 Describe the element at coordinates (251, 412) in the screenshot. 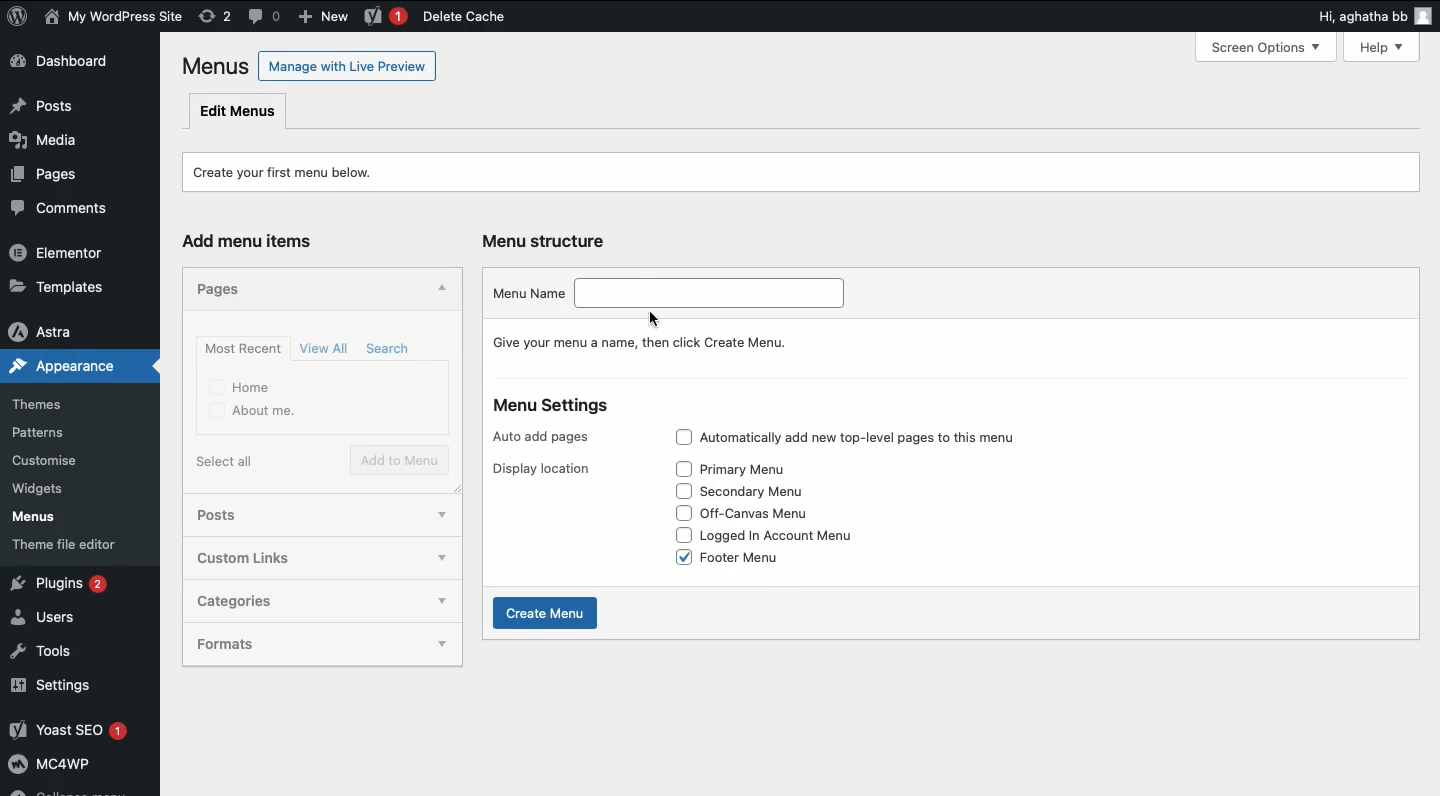

I see `About me.` at that location.